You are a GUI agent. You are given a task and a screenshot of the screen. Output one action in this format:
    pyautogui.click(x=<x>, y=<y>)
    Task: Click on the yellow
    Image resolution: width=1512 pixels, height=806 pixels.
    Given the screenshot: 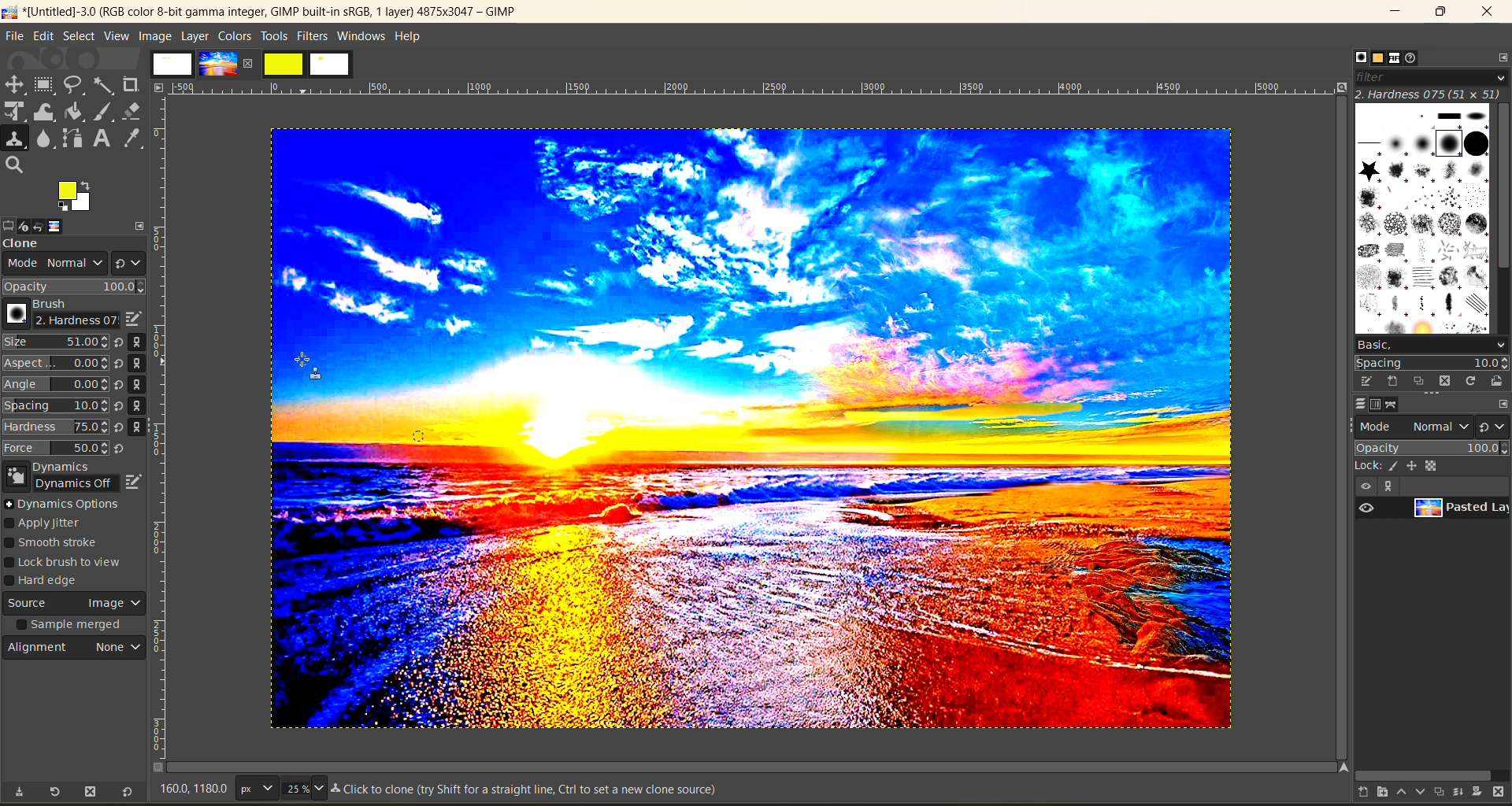 What is the action you would take?
    pyautogui.click(x=284, y=64)
    